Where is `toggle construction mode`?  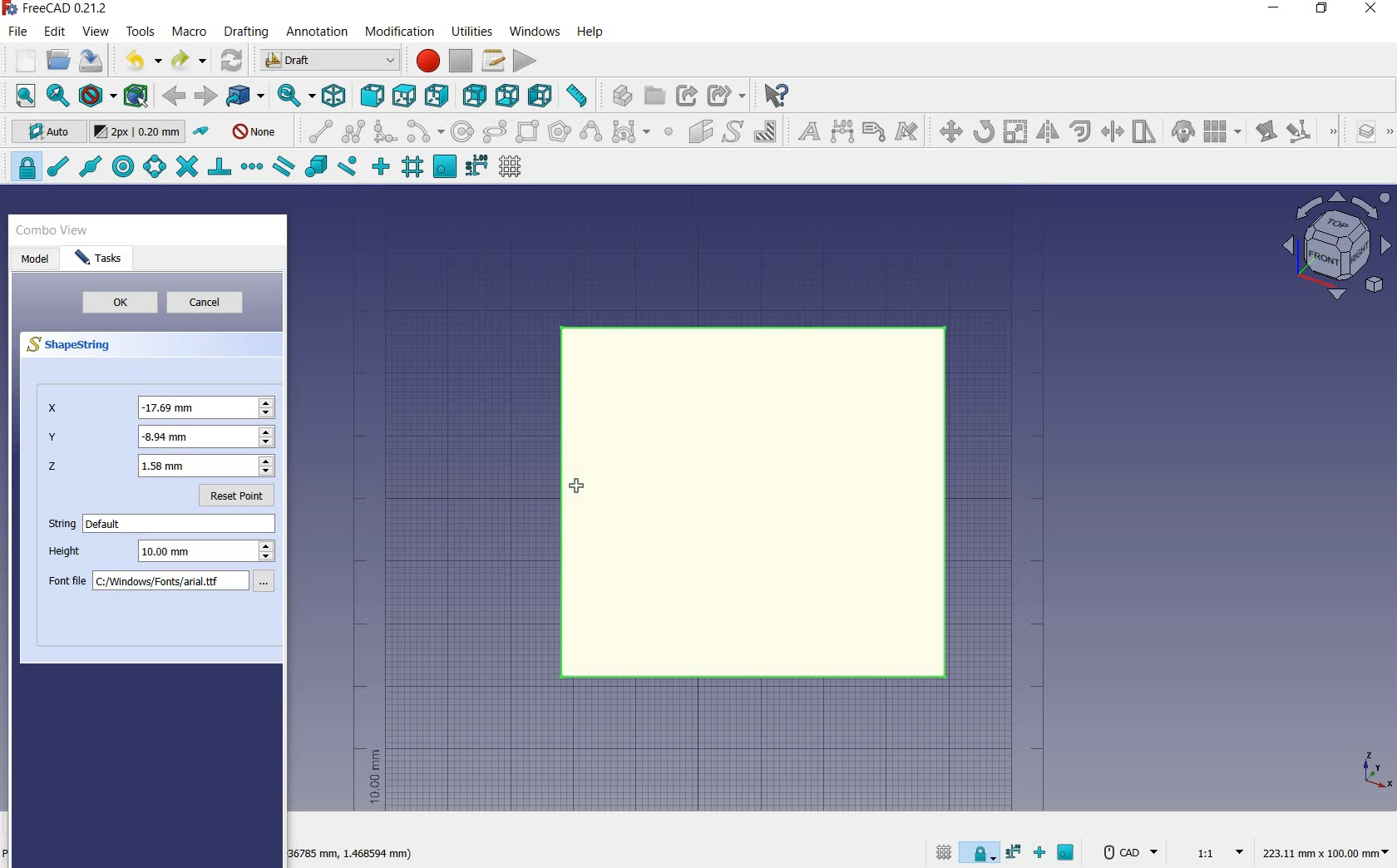 toggle construction mode is located at coordinates (203, 132).